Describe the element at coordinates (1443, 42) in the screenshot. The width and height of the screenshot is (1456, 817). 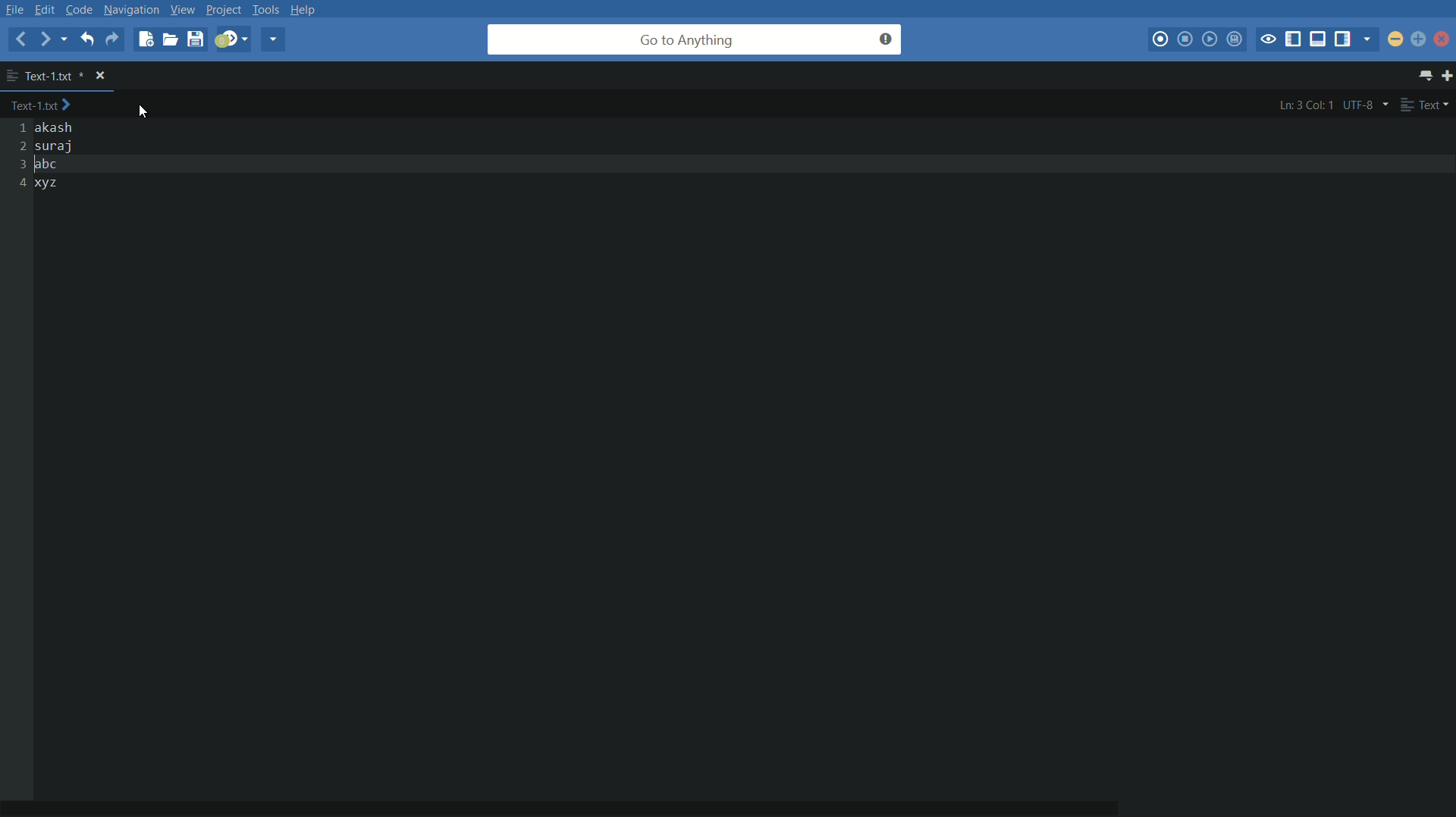
I see `close` at that location.